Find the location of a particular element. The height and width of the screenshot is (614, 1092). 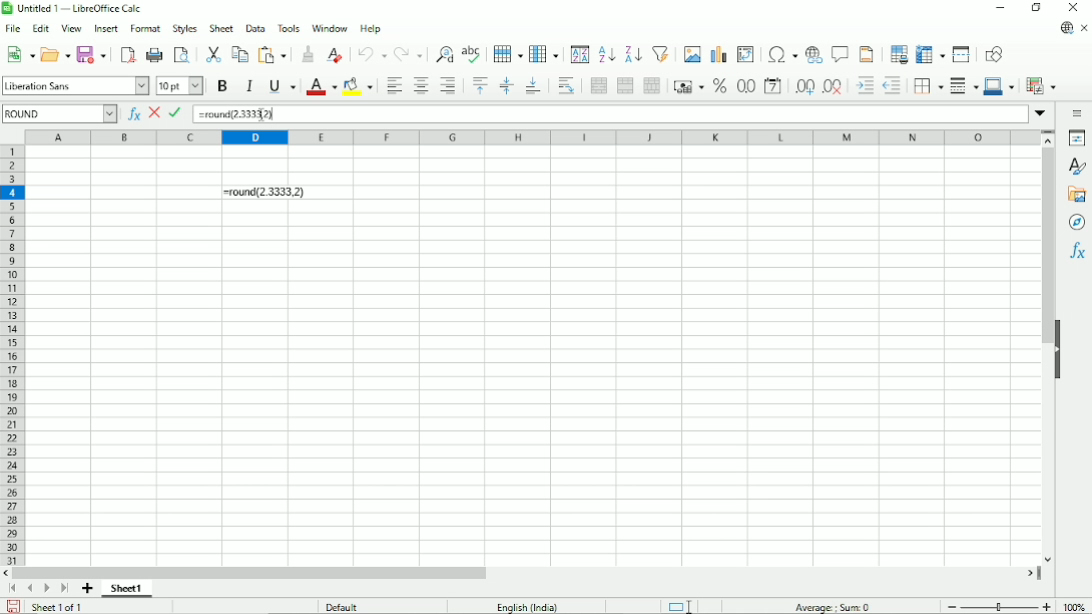

Scroll to first sheet is located at coordinates (13, 588).